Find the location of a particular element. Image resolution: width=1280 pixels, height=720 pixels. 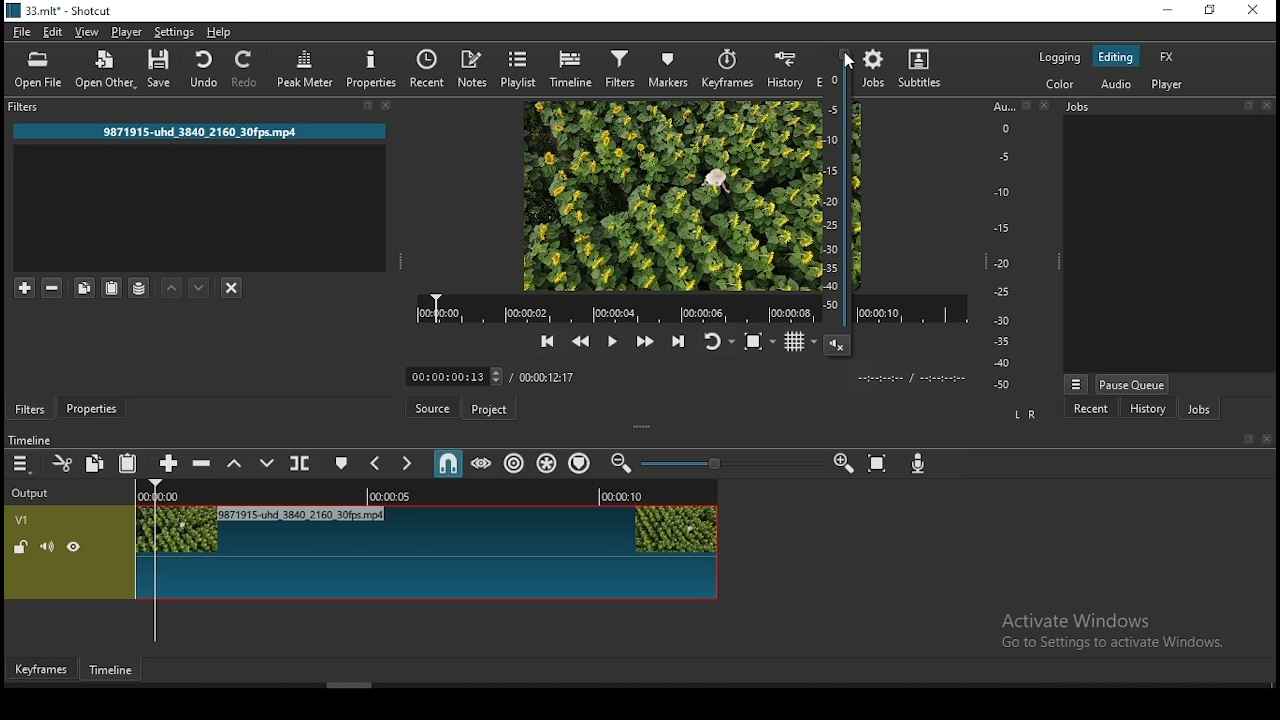

bookmark is located at coordinates (364, 105).